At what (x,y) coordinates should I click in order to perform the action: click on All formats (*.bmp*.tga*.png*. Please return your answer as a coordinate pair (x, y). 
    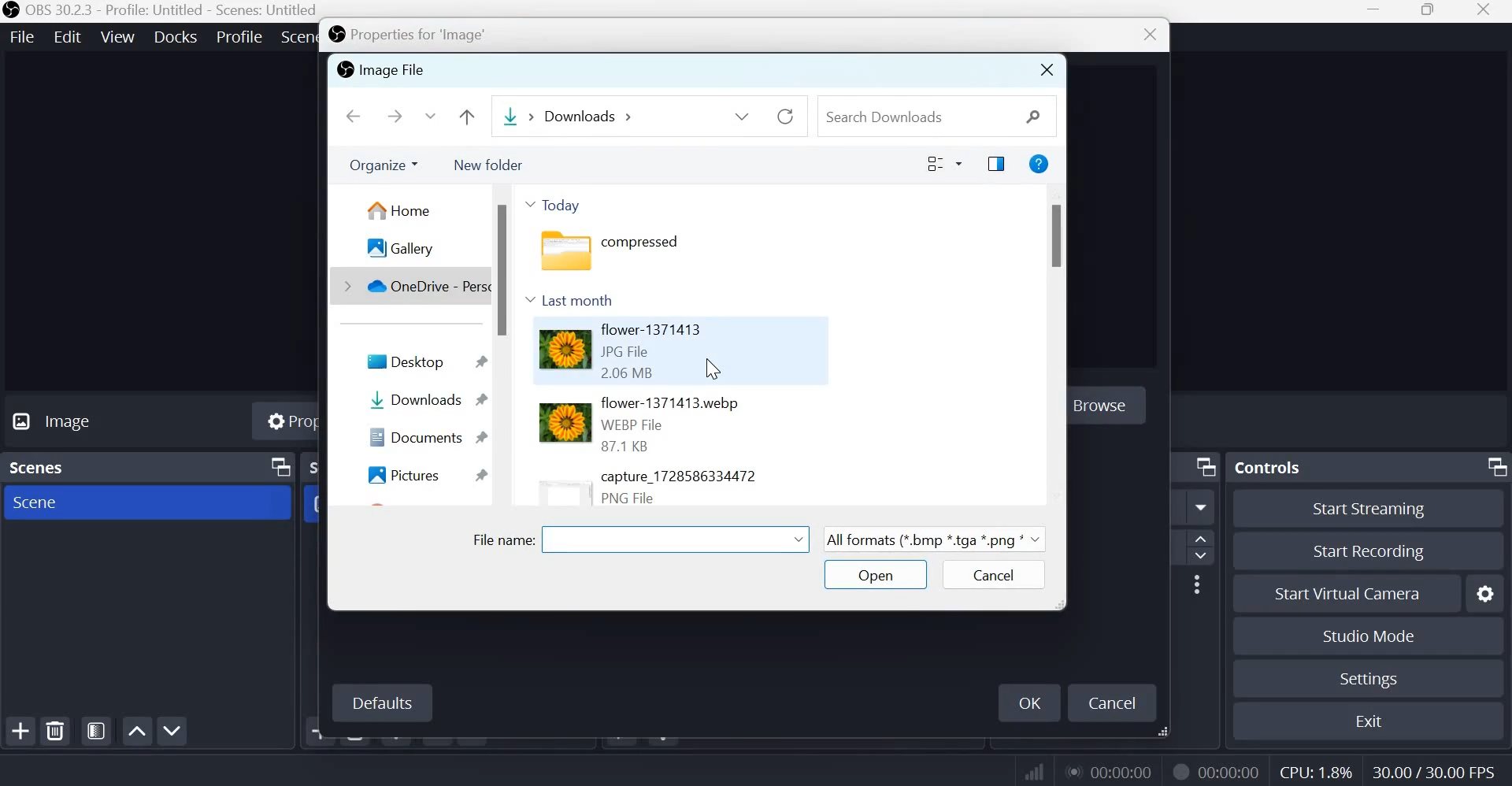
    Looking at the image, I should click on (932, 537).